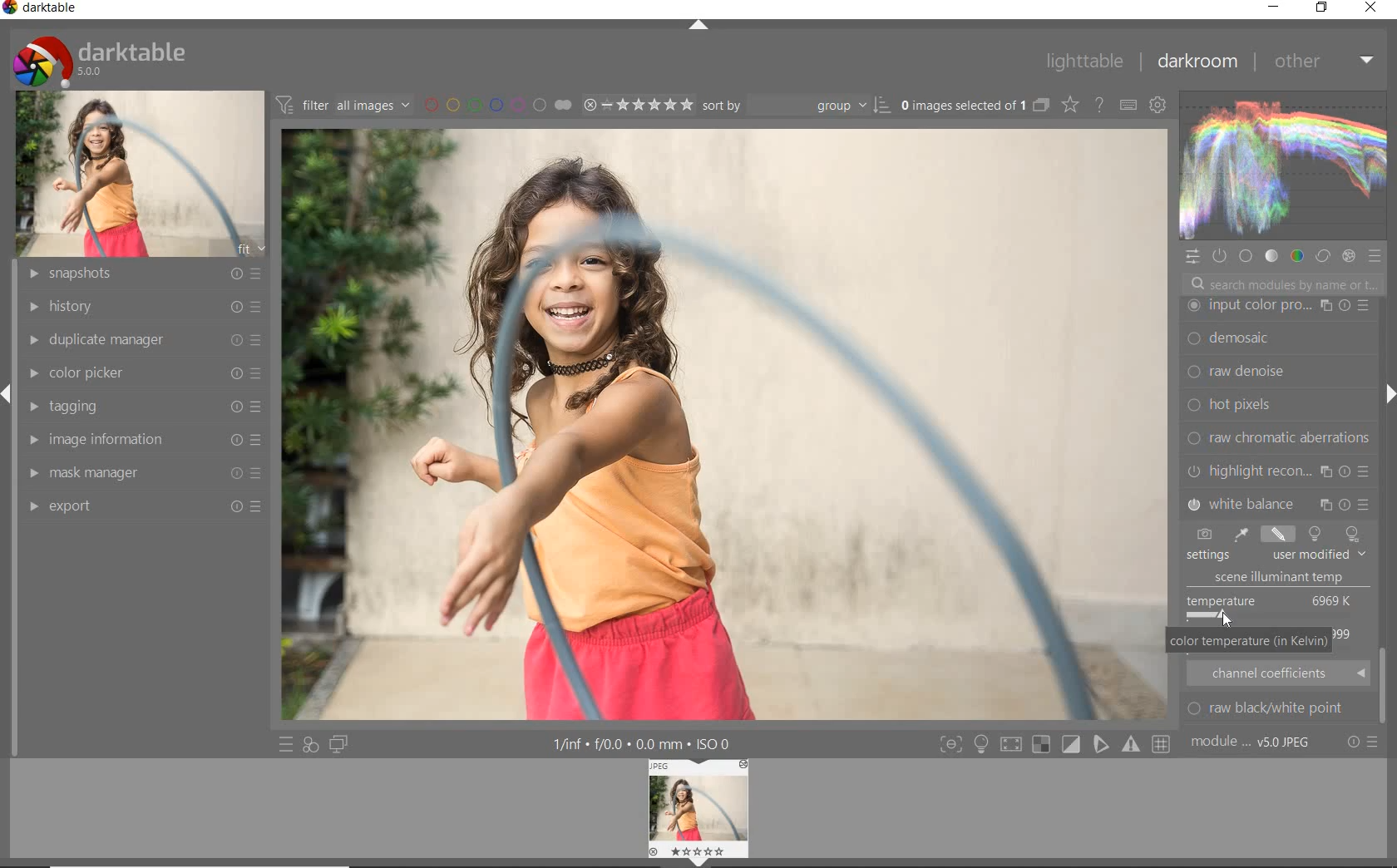 Image resolution: width=1397 pixels, height=868 pixels. Describe the element at coordinates (496, 104) in the screenshot. I see `filter by image color label` at that location.